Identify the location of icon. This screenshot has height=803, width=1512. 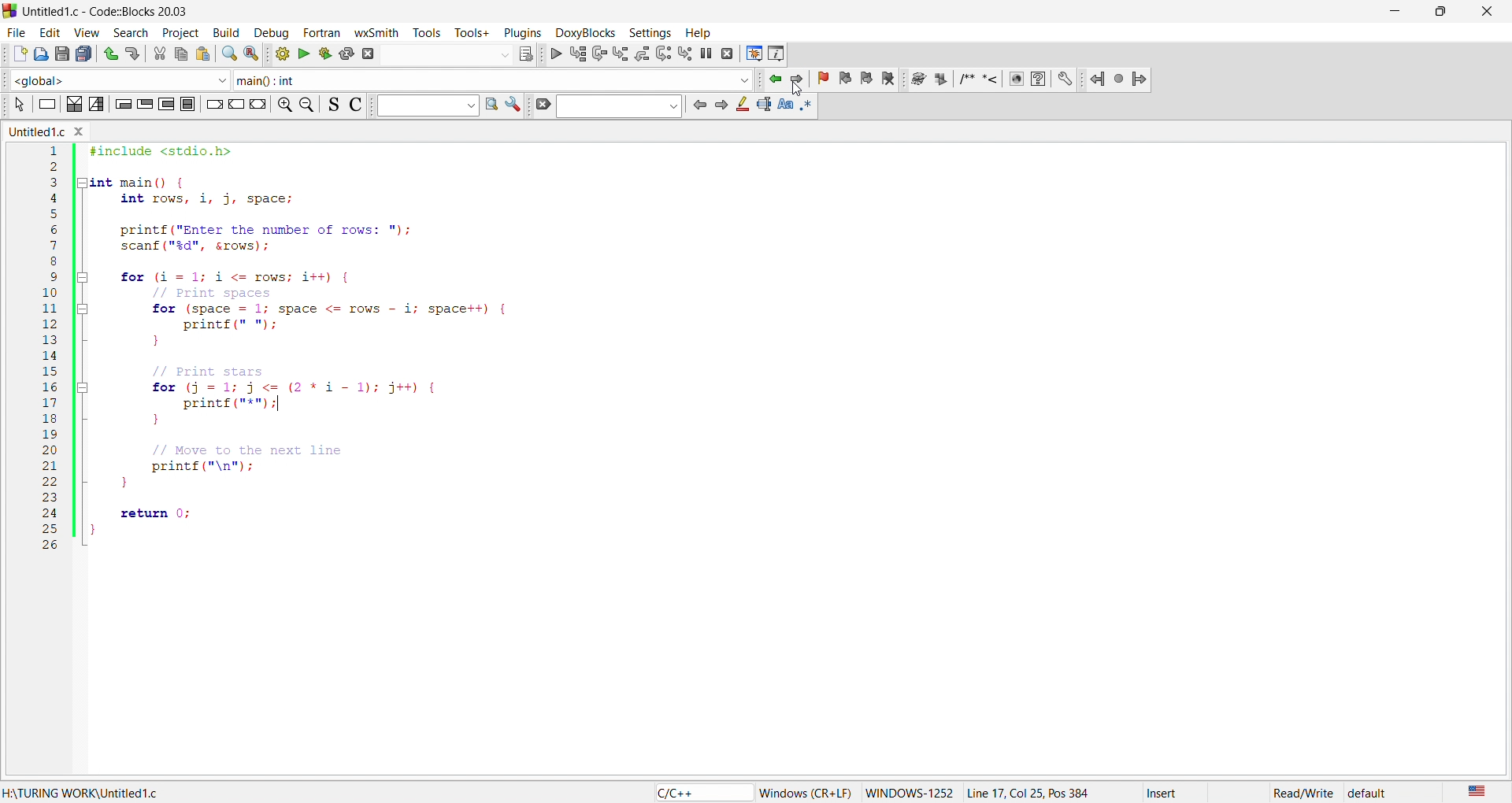
(697, 105).